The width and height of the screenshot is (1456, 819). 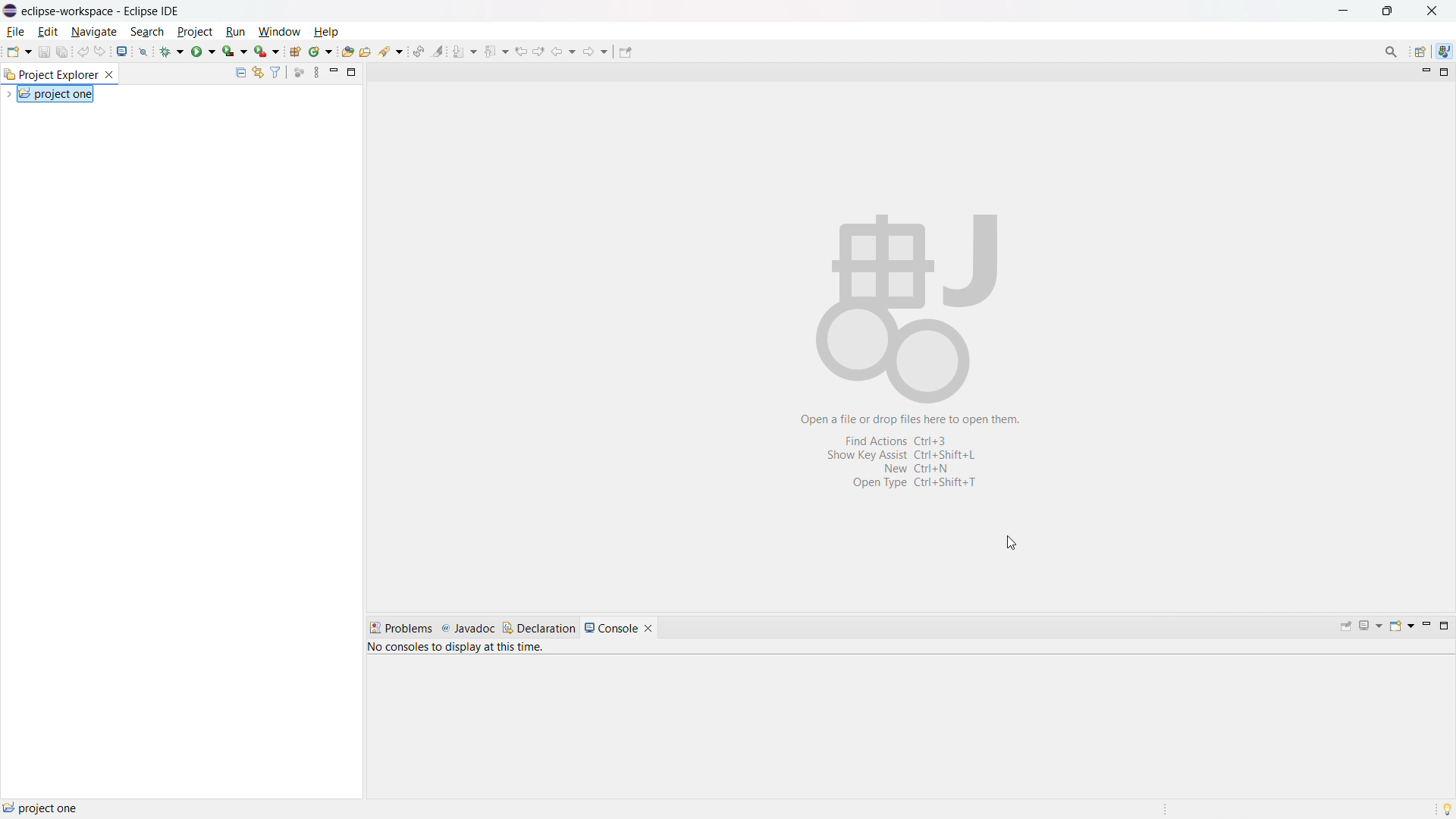 What do you see at coordinates (1392, 51) in the screenshot?
I see `access commands and other items` at bounding box center [1392, 51].